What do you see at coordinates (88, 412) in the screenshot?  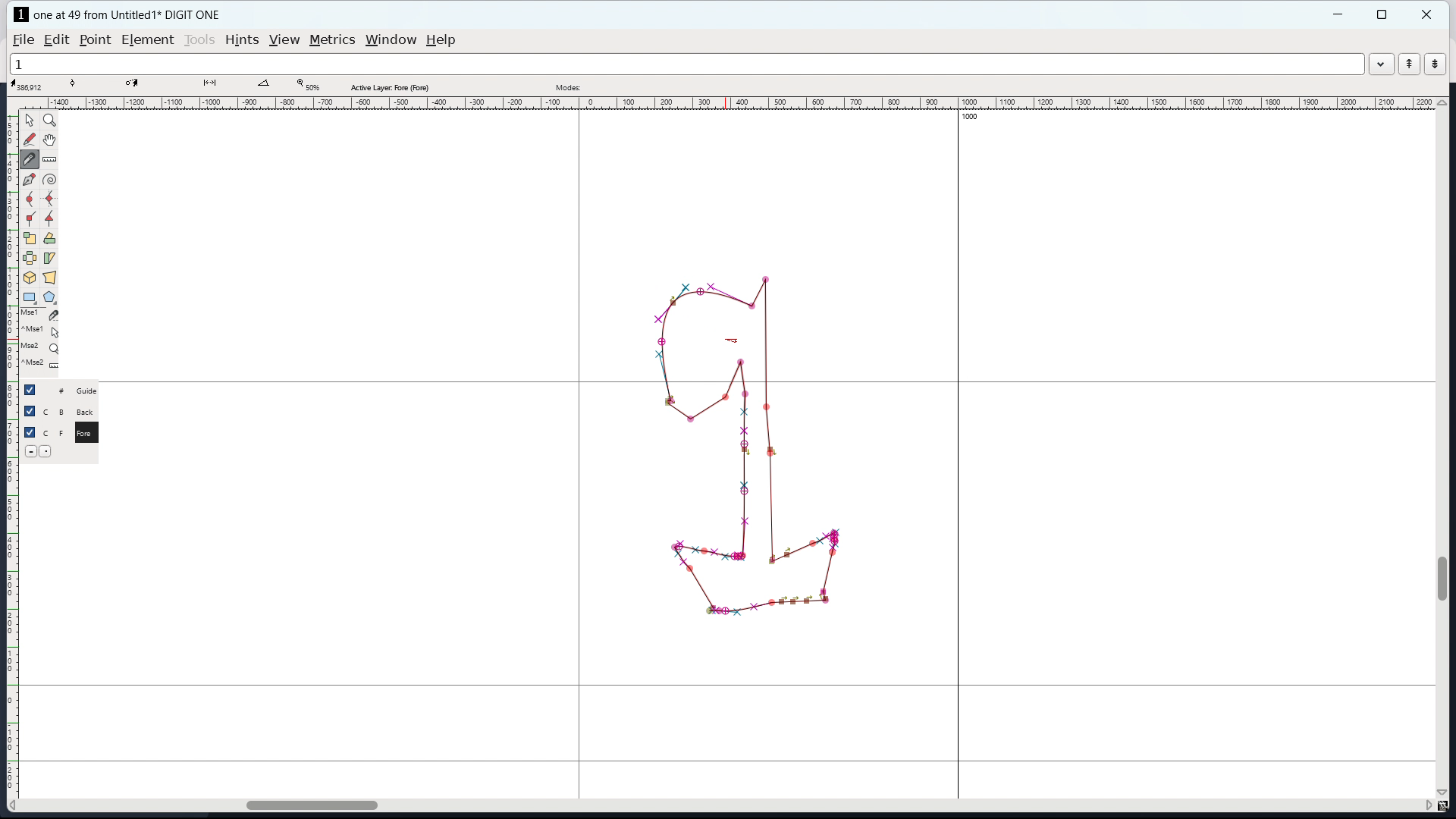 I see `back` at bounding box center [88, 412].